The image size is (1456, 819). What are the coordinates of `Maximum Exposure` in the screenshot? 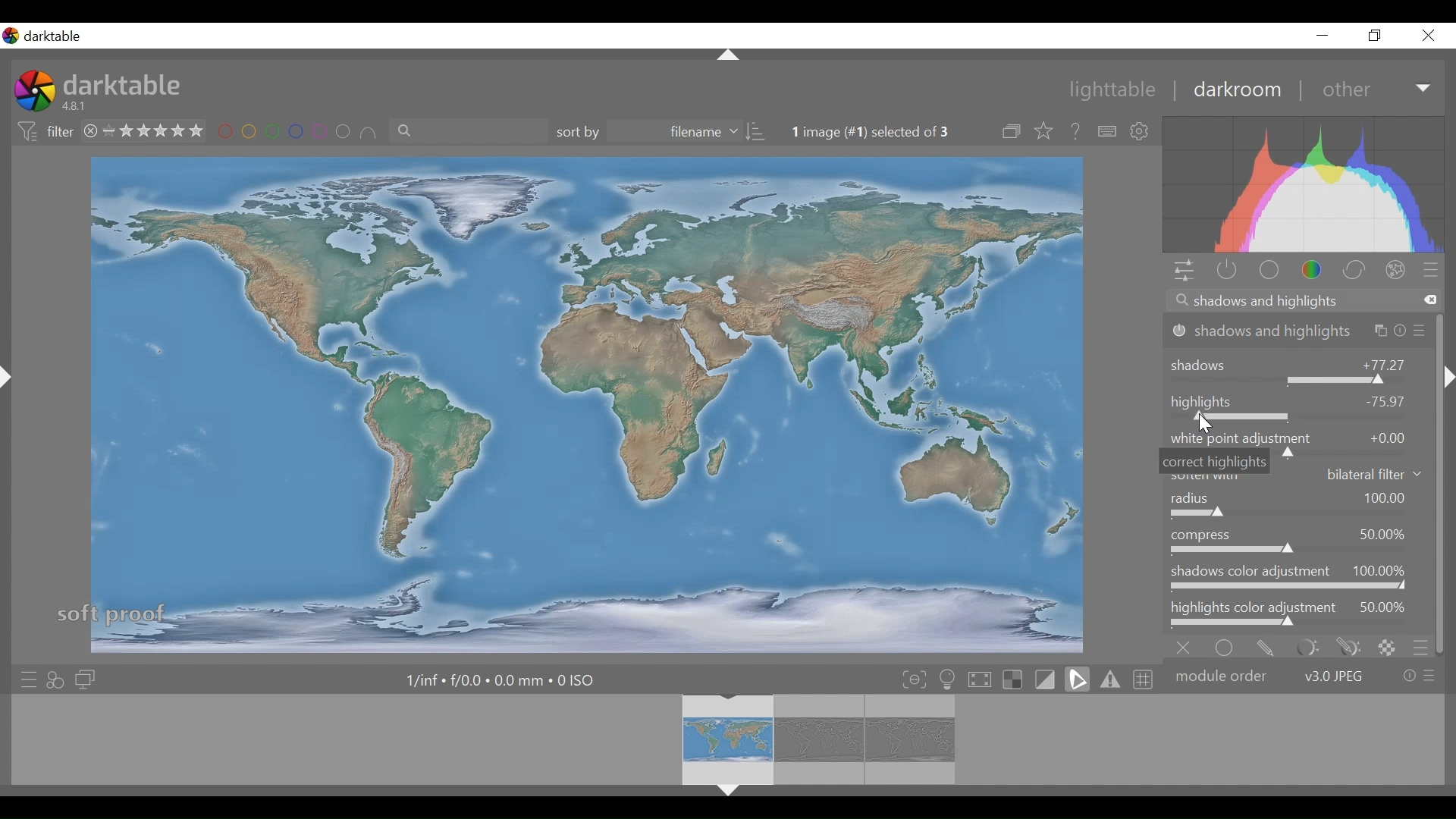 It's located at (502, 679).